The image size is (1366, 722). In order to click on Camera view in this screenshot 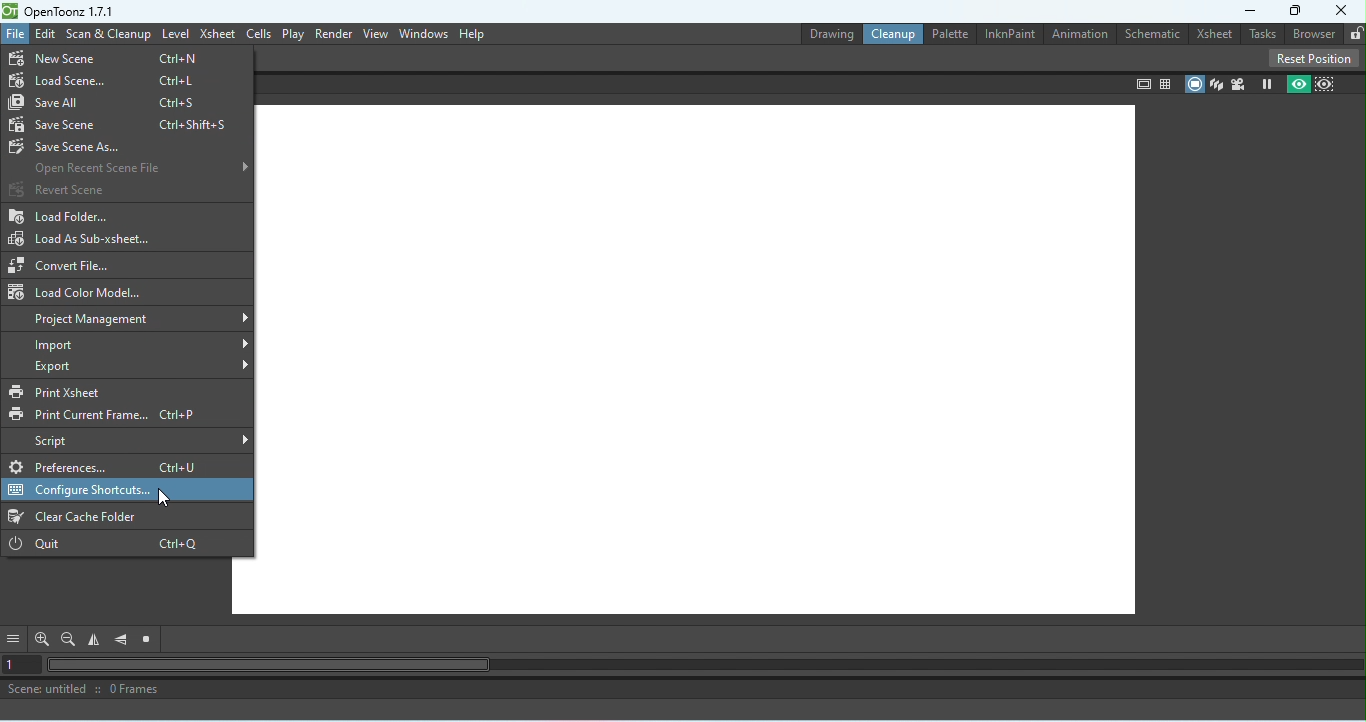, I will do `click(1238, 84)`.